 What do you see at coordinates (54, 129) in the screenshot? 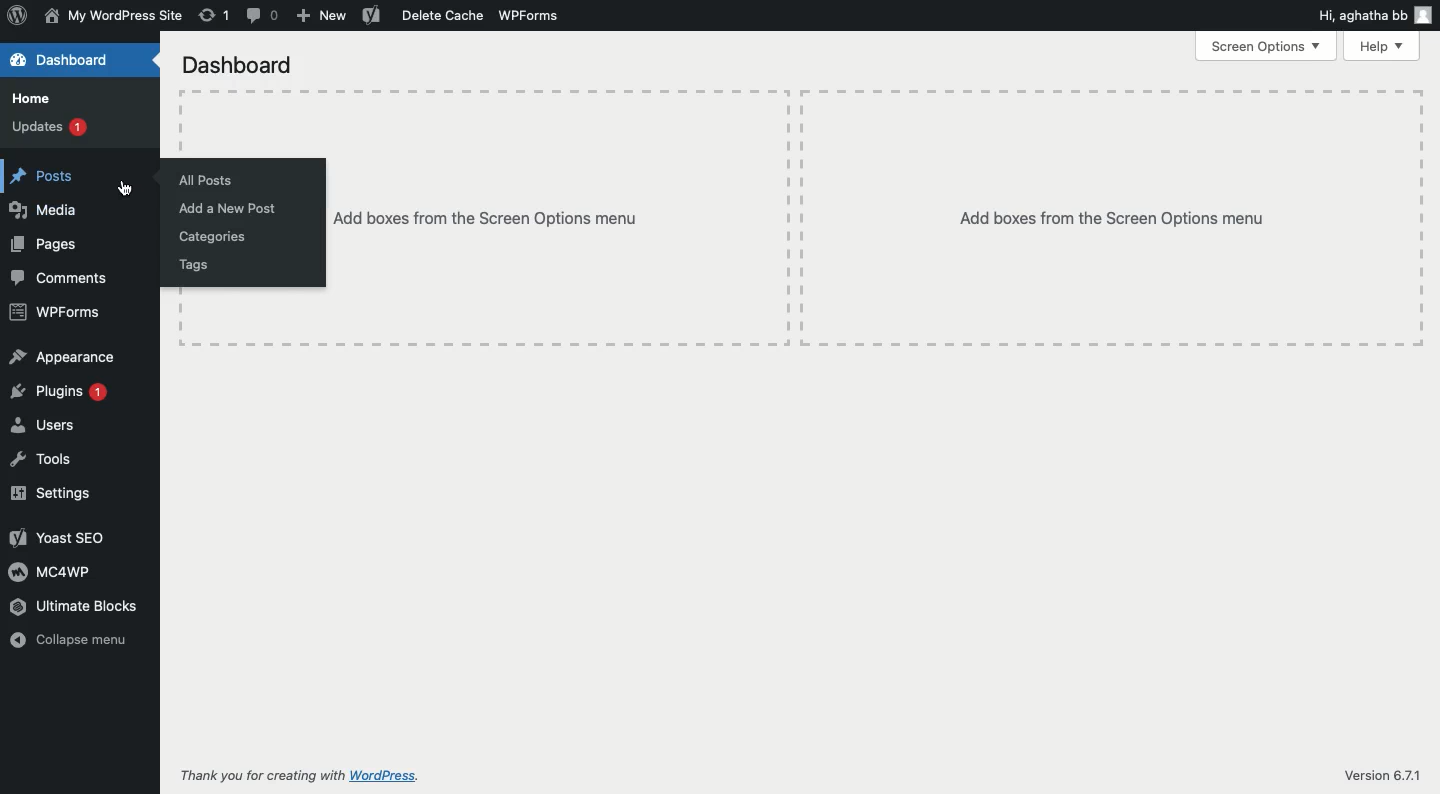
I see `Updates 1` at bounding box center [54, 129].